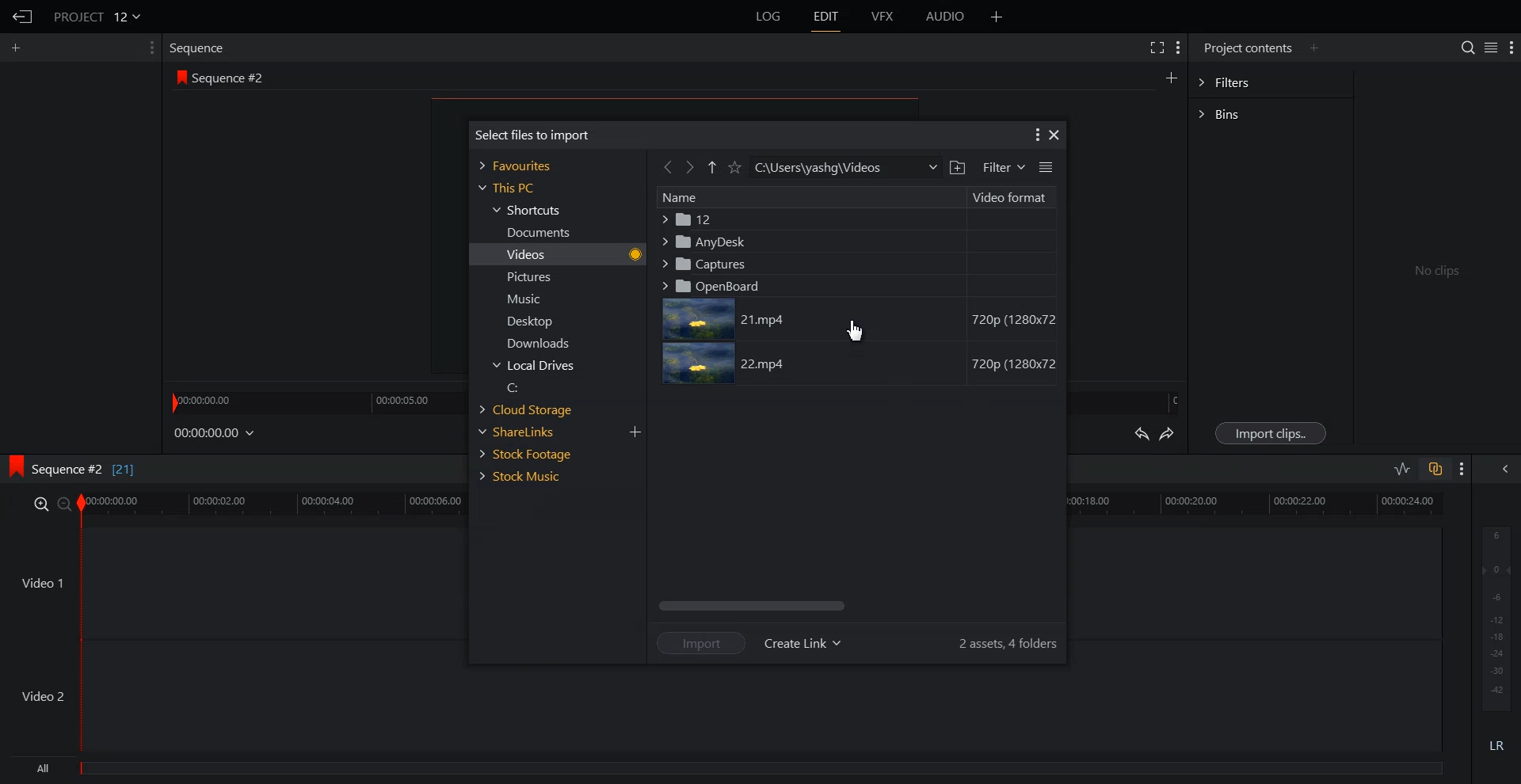 This screenshot has width=1521, height=784. Describe the element at coordinates (997, 17) in the screenshot. I see `Add Panel` at that location.